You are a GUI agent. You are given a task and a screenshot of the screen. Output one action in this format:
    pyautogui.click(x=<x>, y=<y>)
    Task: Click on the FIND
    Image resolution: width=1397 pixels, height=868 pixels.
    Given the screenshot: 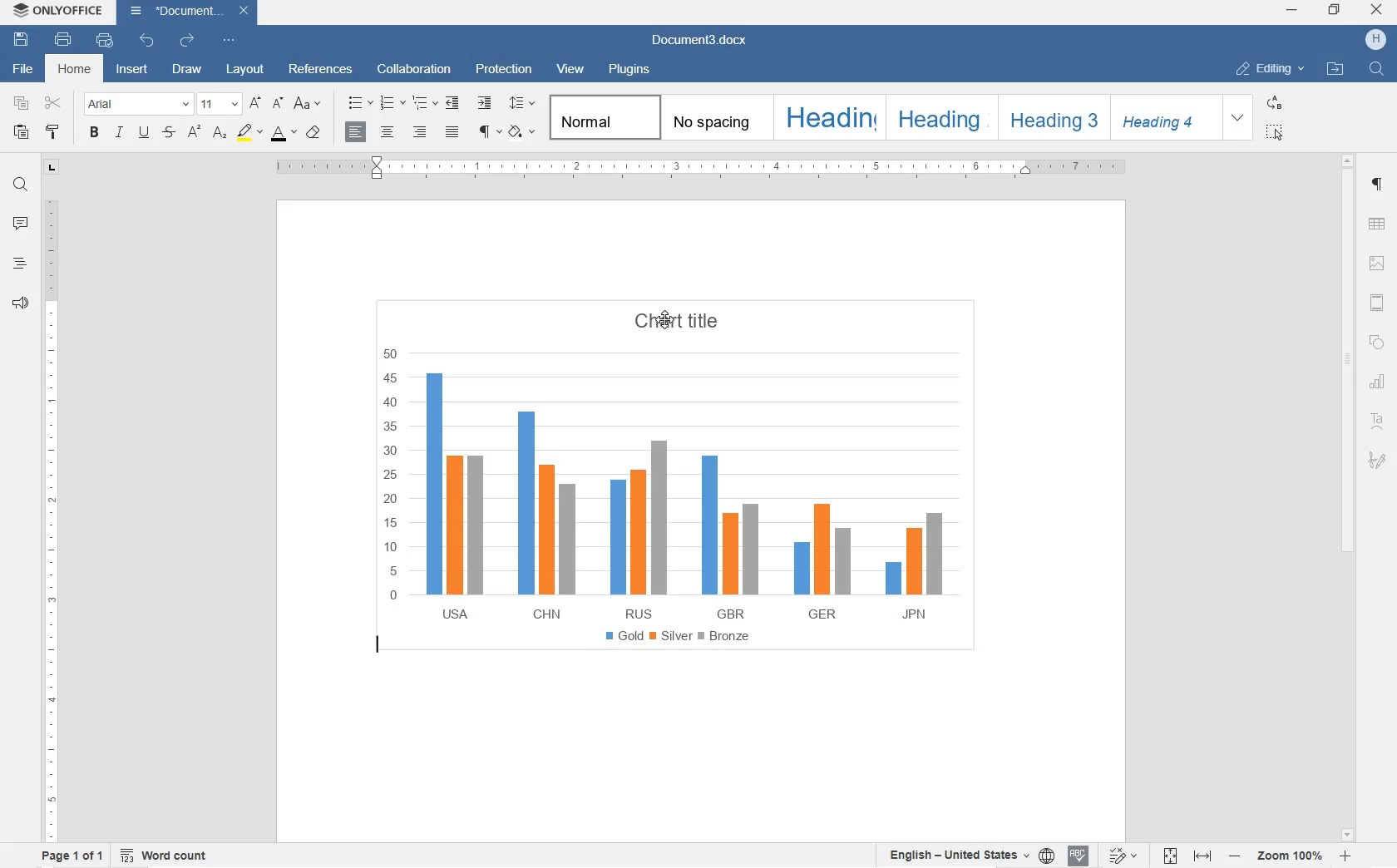 What is the action you would take?
    pyautogui.click(x=21, y=185)
    